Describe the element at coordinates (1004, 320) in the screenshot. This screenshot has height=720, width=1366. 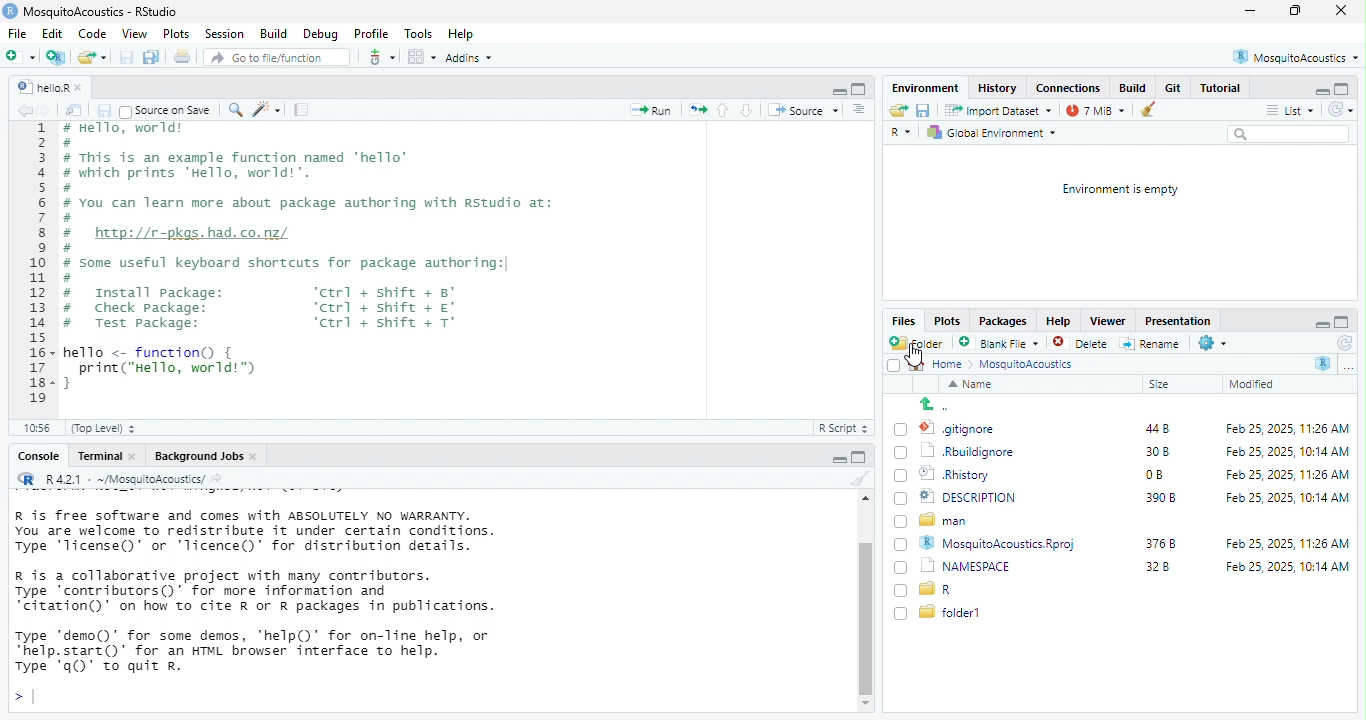
I see ` Packages` at that location.